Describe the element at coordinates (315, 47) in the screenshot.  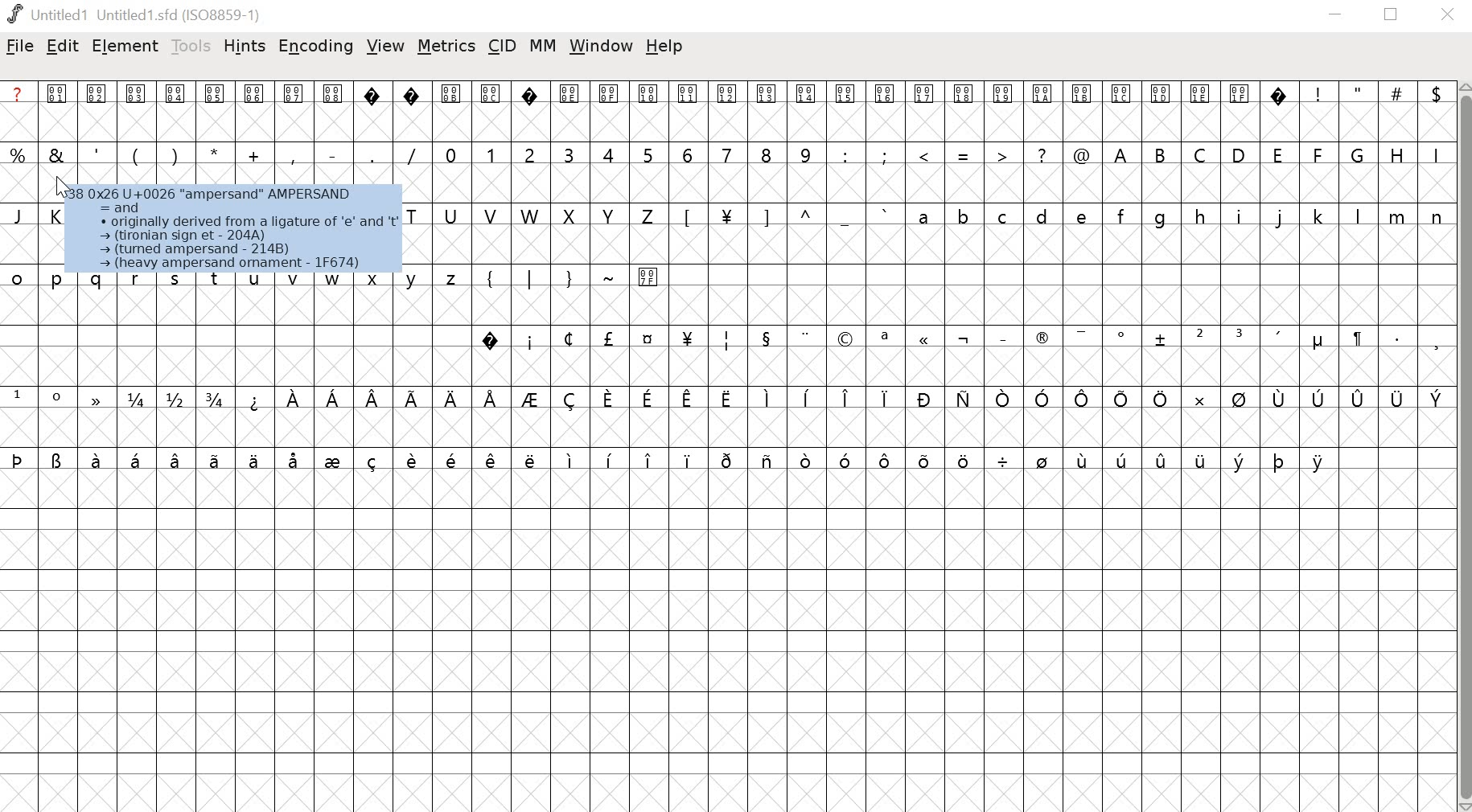
I see `encoding` at that location.